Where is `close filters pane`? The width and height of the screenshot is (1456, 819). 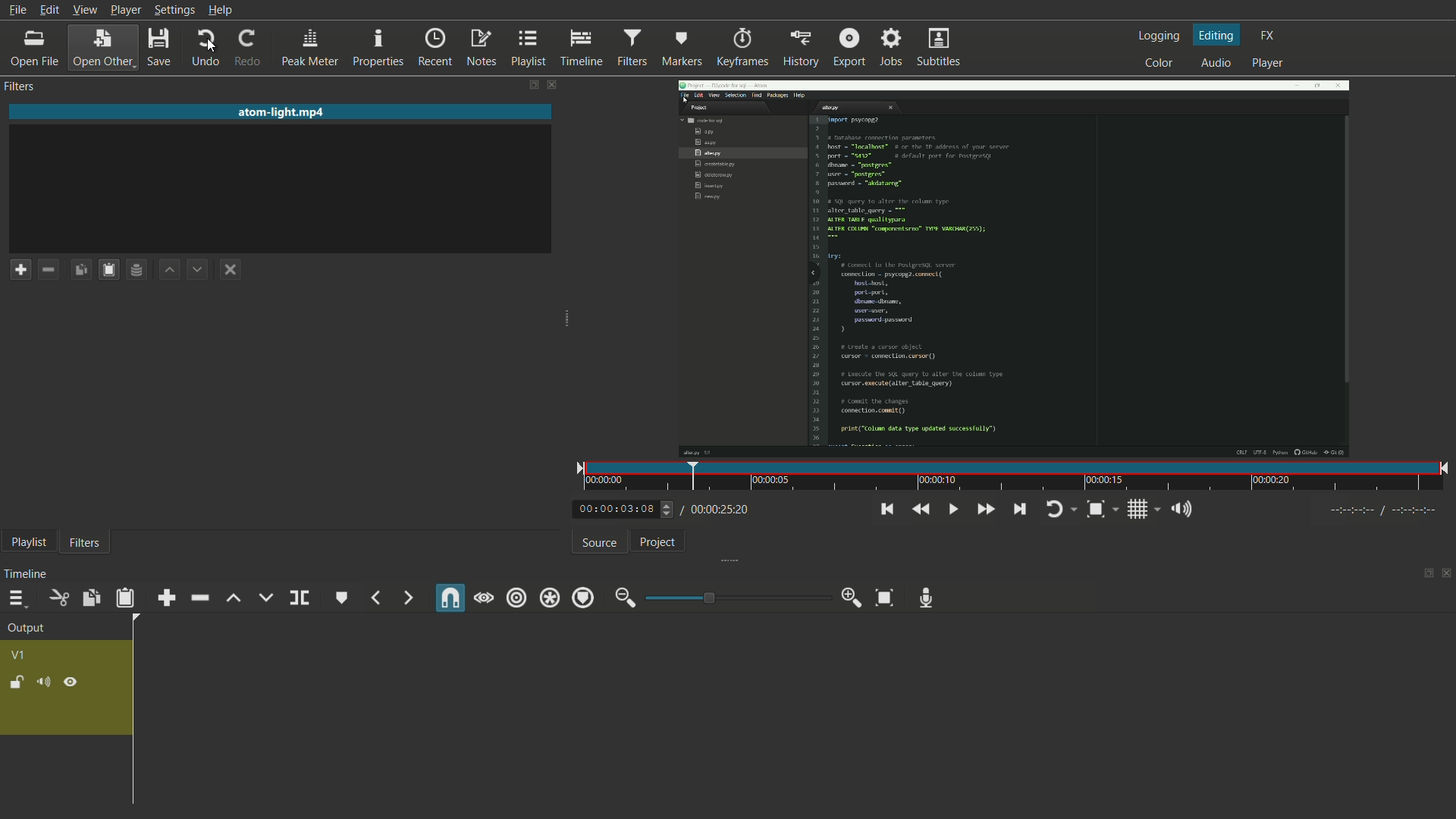
close filters pane is located at coordinates (556, 82).